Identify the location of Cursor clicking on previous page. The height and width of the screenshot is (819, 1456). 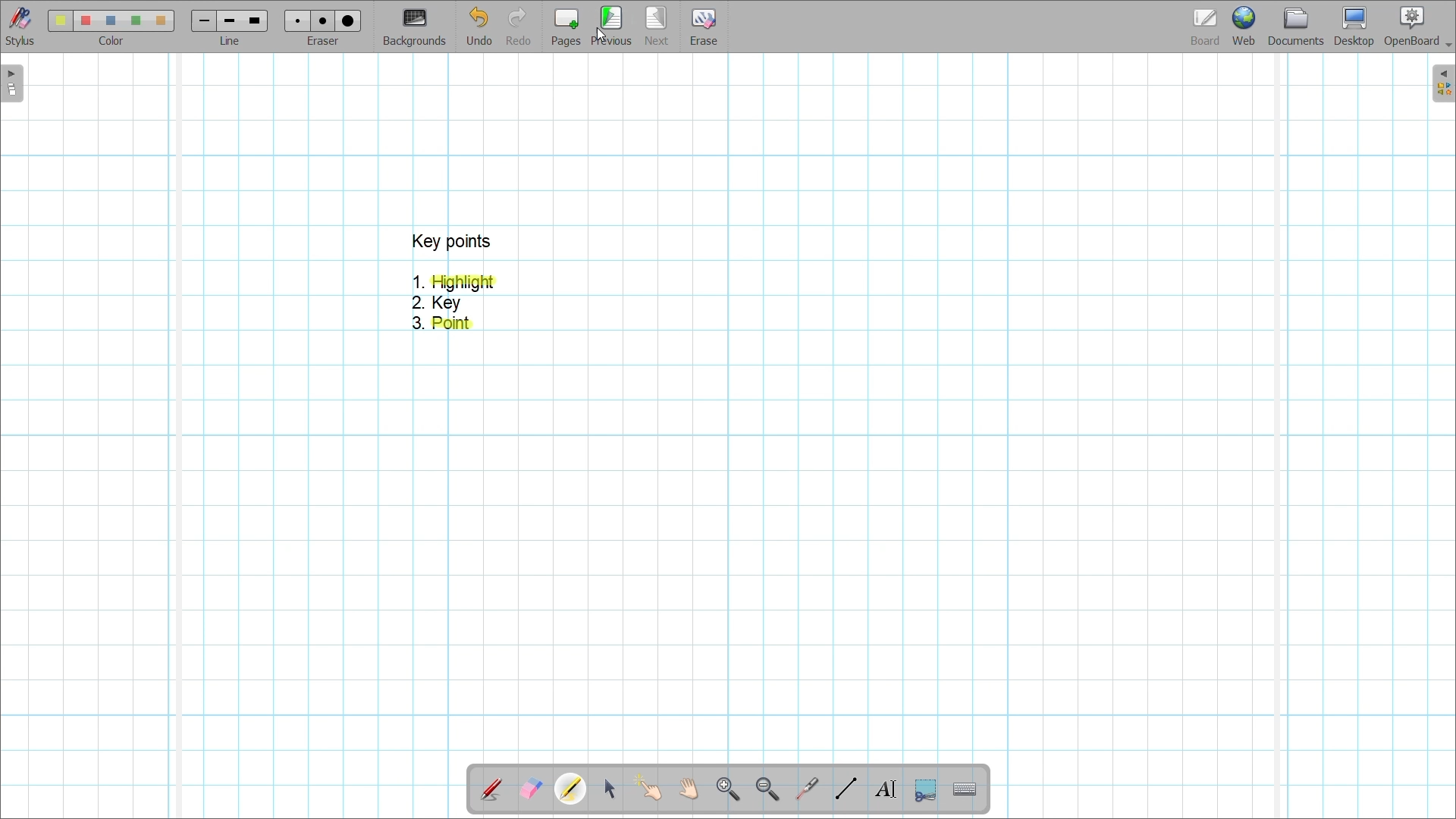
(601, 34).